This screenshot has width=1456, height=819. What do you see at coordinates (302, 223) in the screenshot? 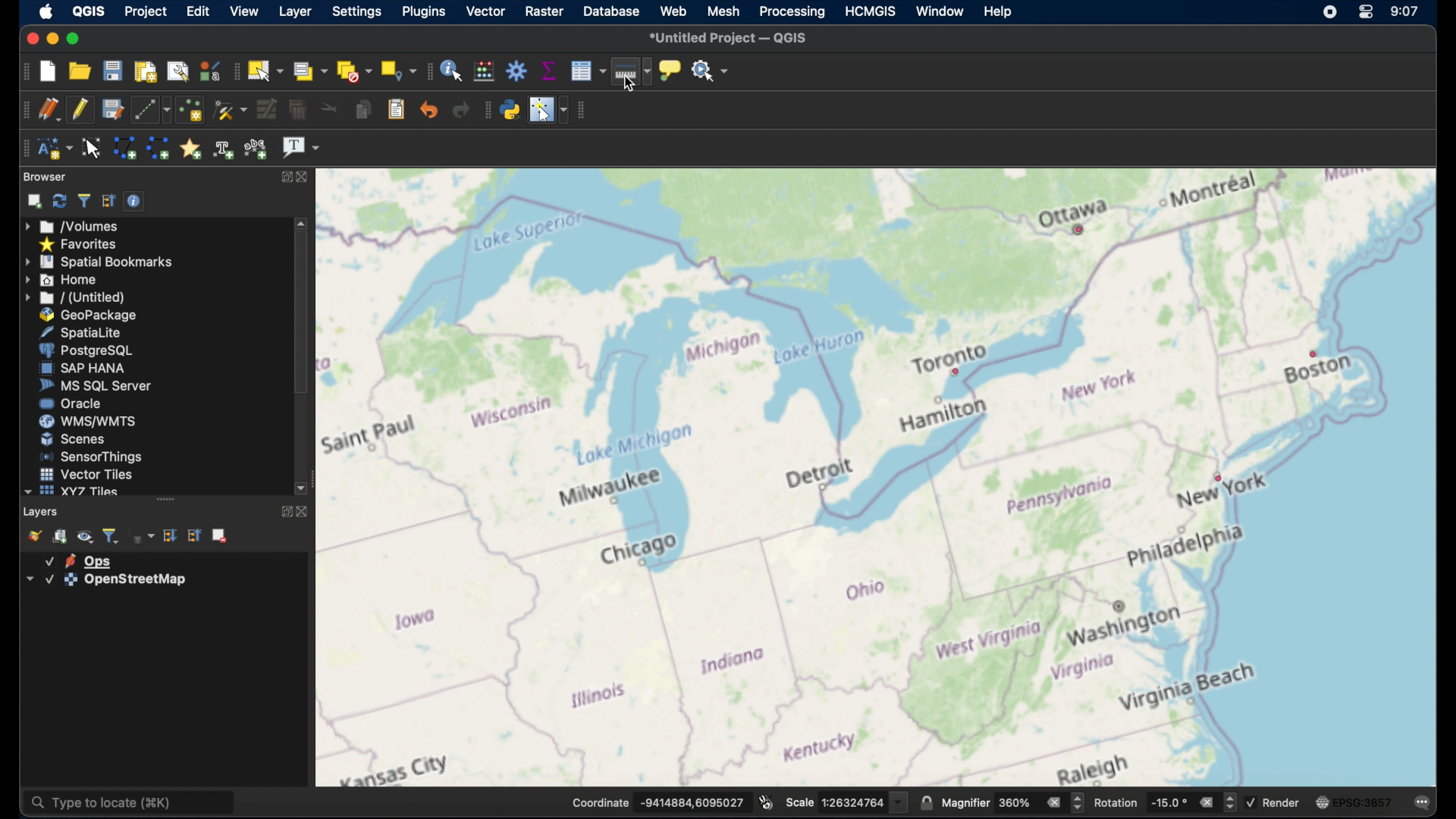
I see `scroll up arrow` at bounding box center [302, 223].